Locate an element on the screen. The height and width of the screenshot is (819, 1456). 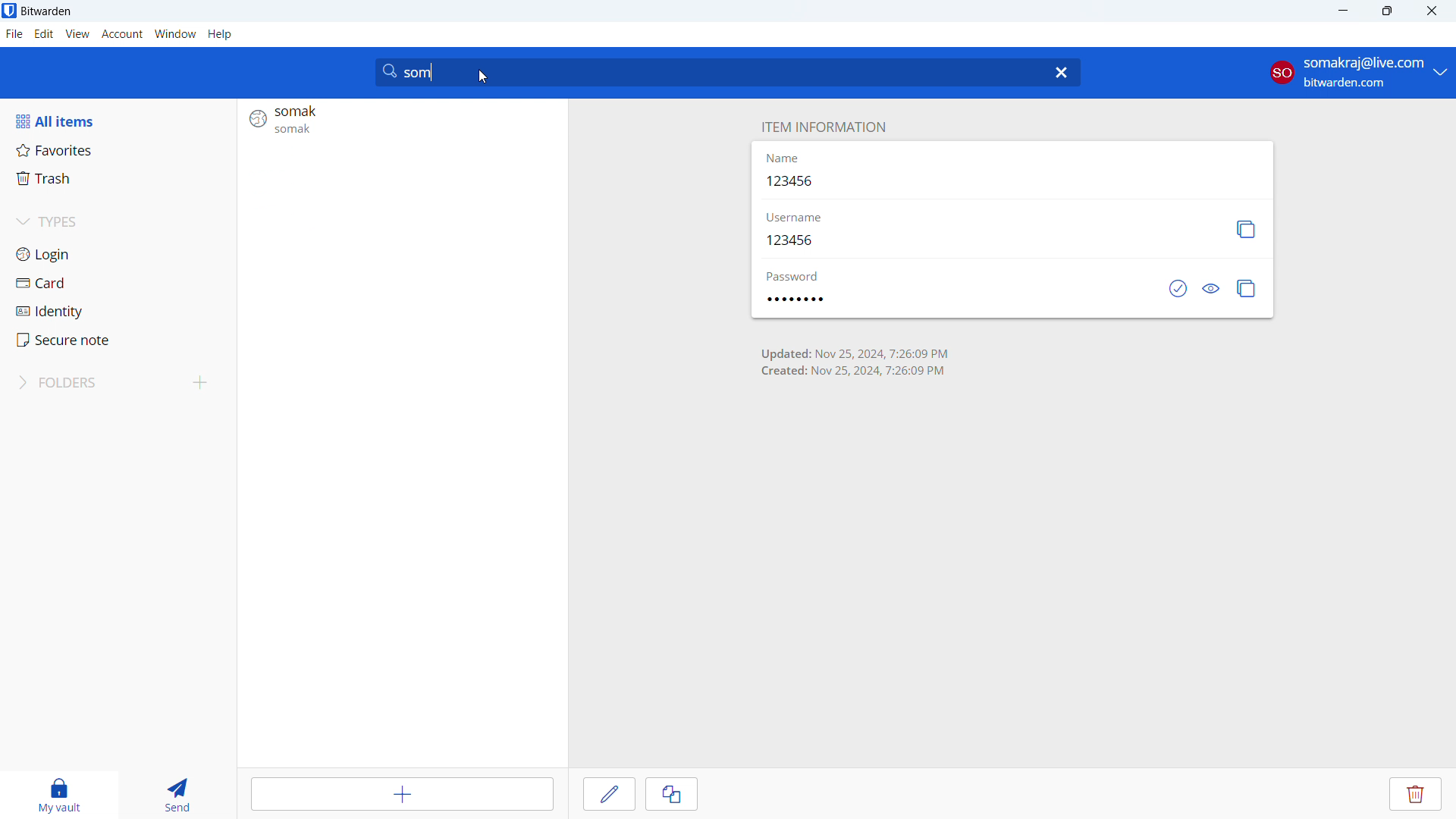
secure note is located at coordinates (116, 340).